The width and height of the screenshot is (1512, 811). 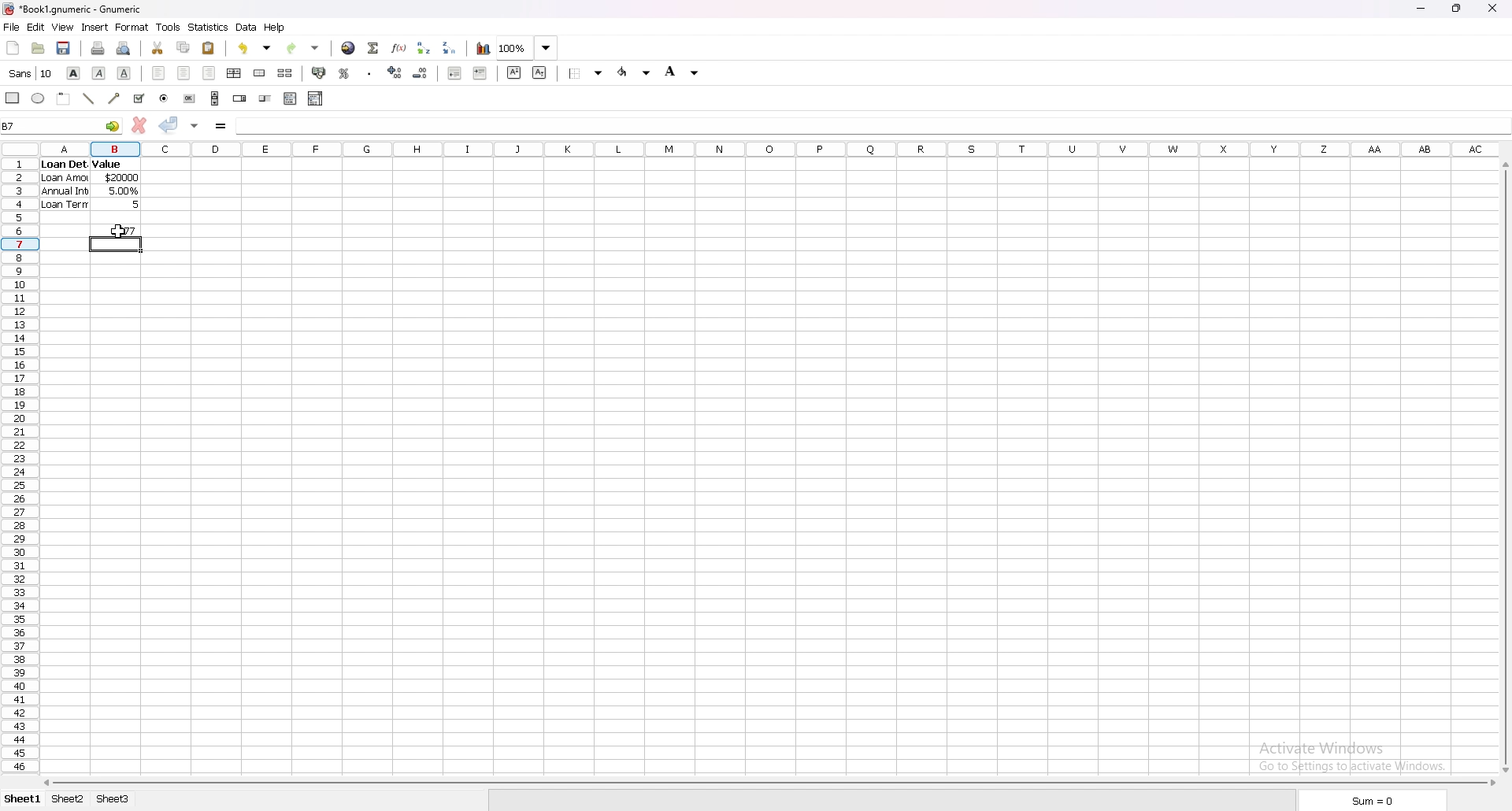 I want to click on superscript, so click(x=513, y=72).